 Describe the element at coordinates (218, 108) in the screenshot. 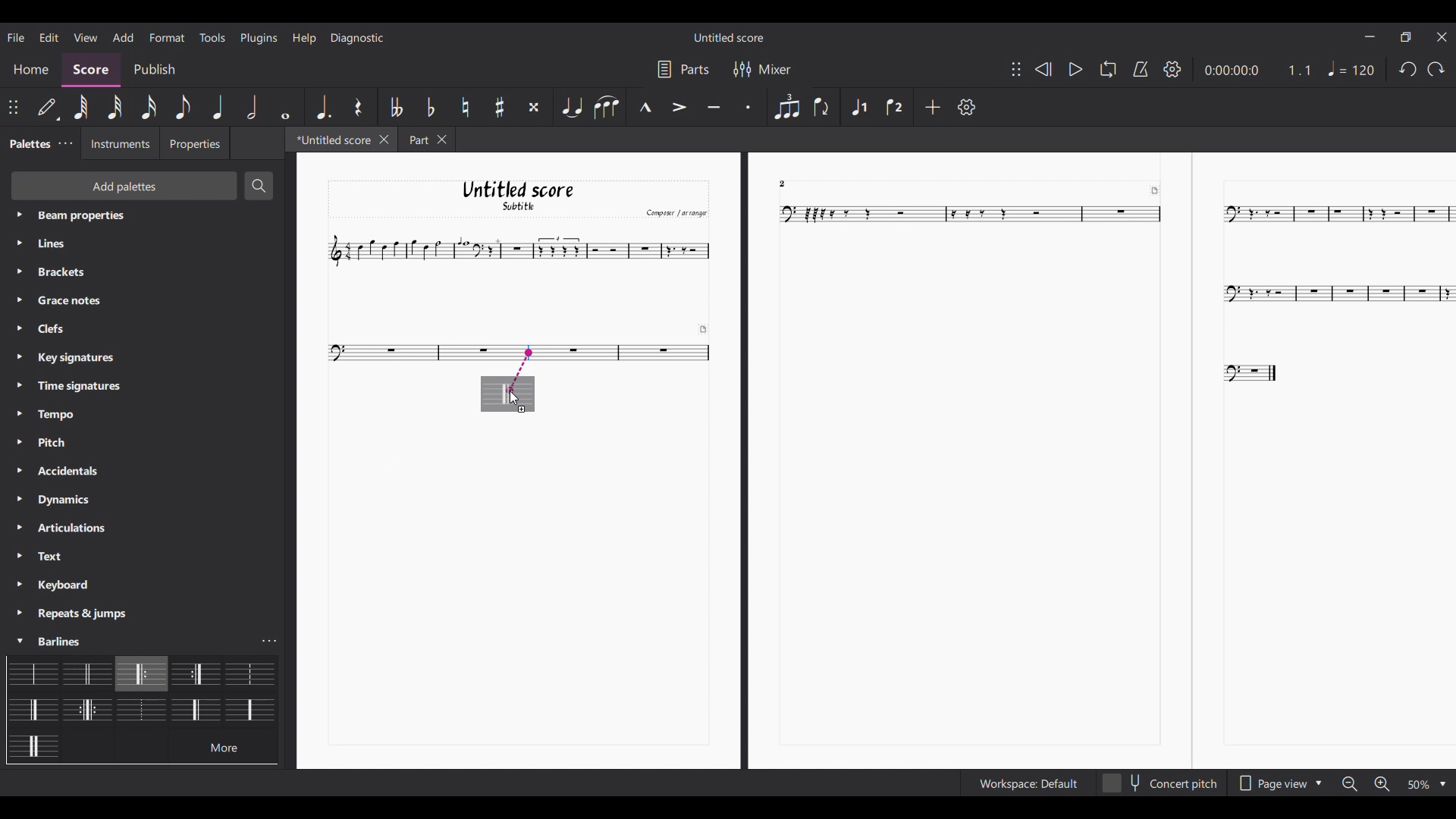

I see `Quarter note` at that location.